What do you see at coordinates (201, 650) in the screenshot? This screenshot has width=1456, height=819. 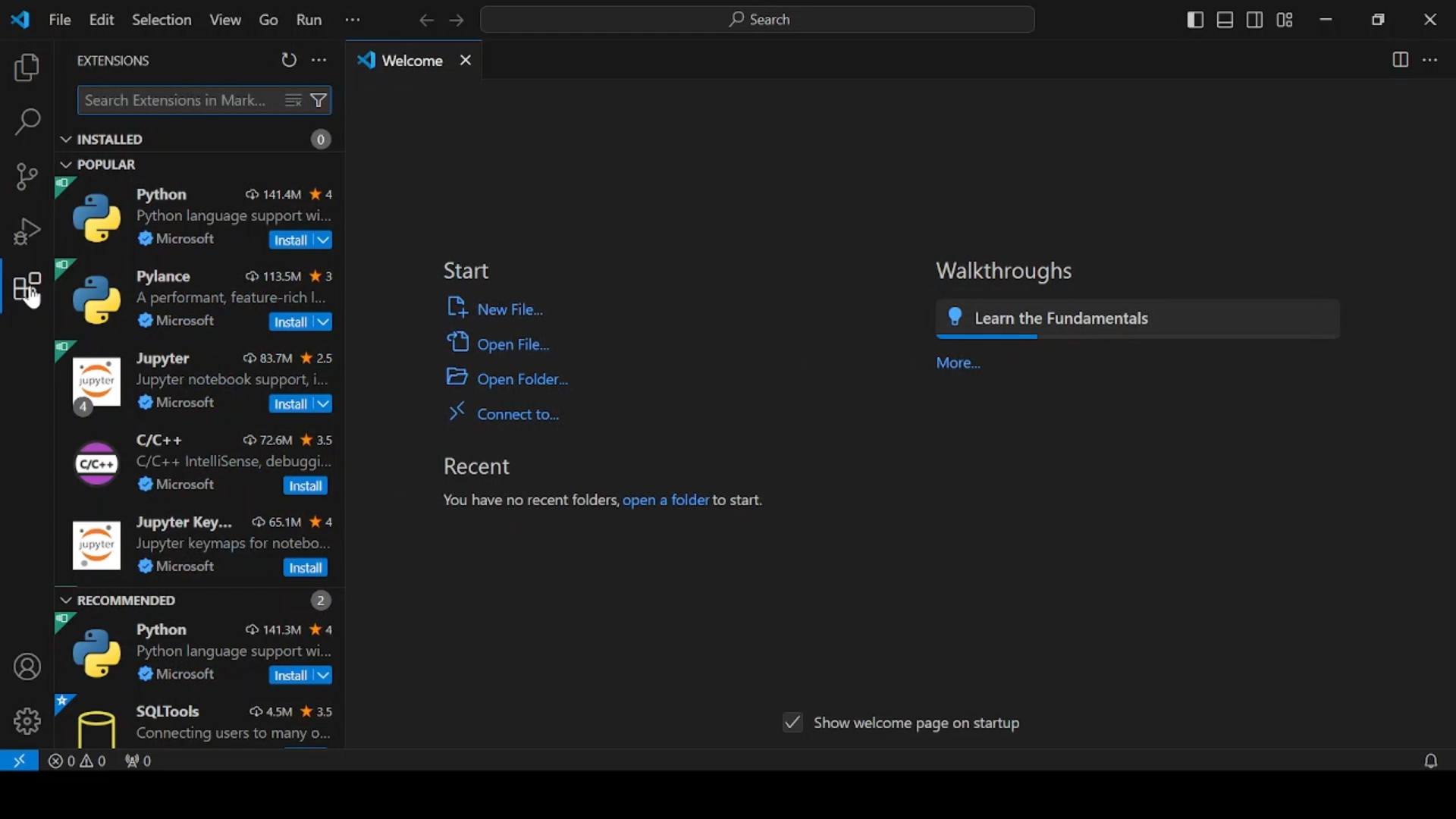 I see `python` at bounding box center [201, 650].